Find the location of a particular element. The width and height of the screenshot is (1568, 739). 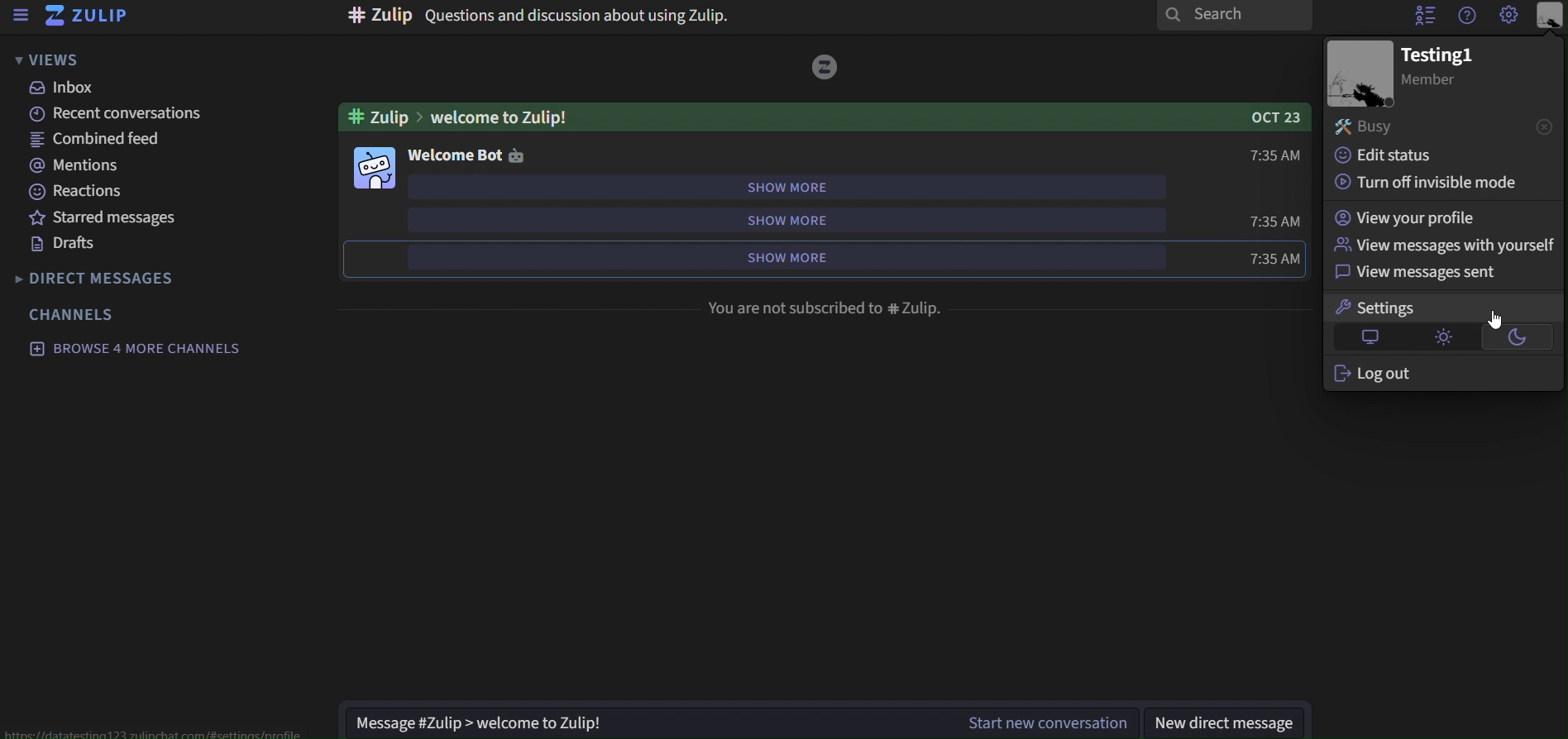

view messages with yourself is located at coordinates (1442, 245).